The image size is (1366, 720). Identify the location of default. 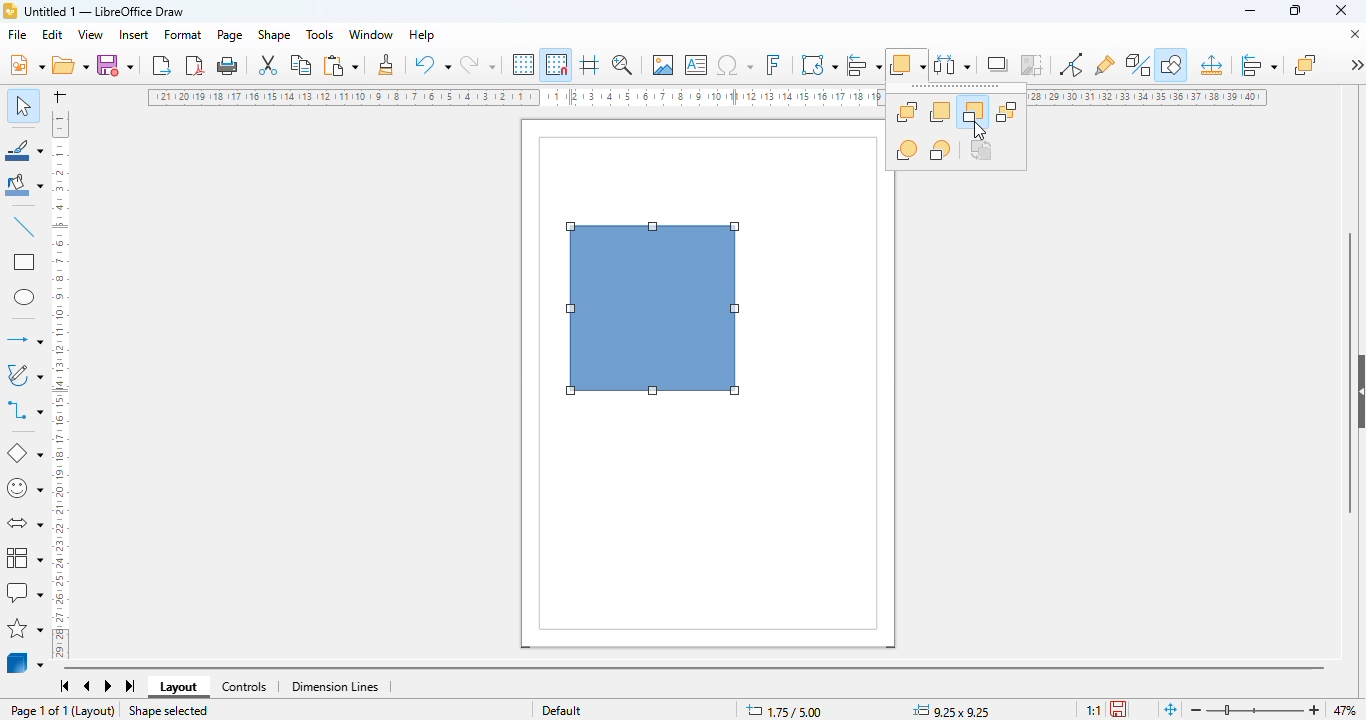
(562, 709).